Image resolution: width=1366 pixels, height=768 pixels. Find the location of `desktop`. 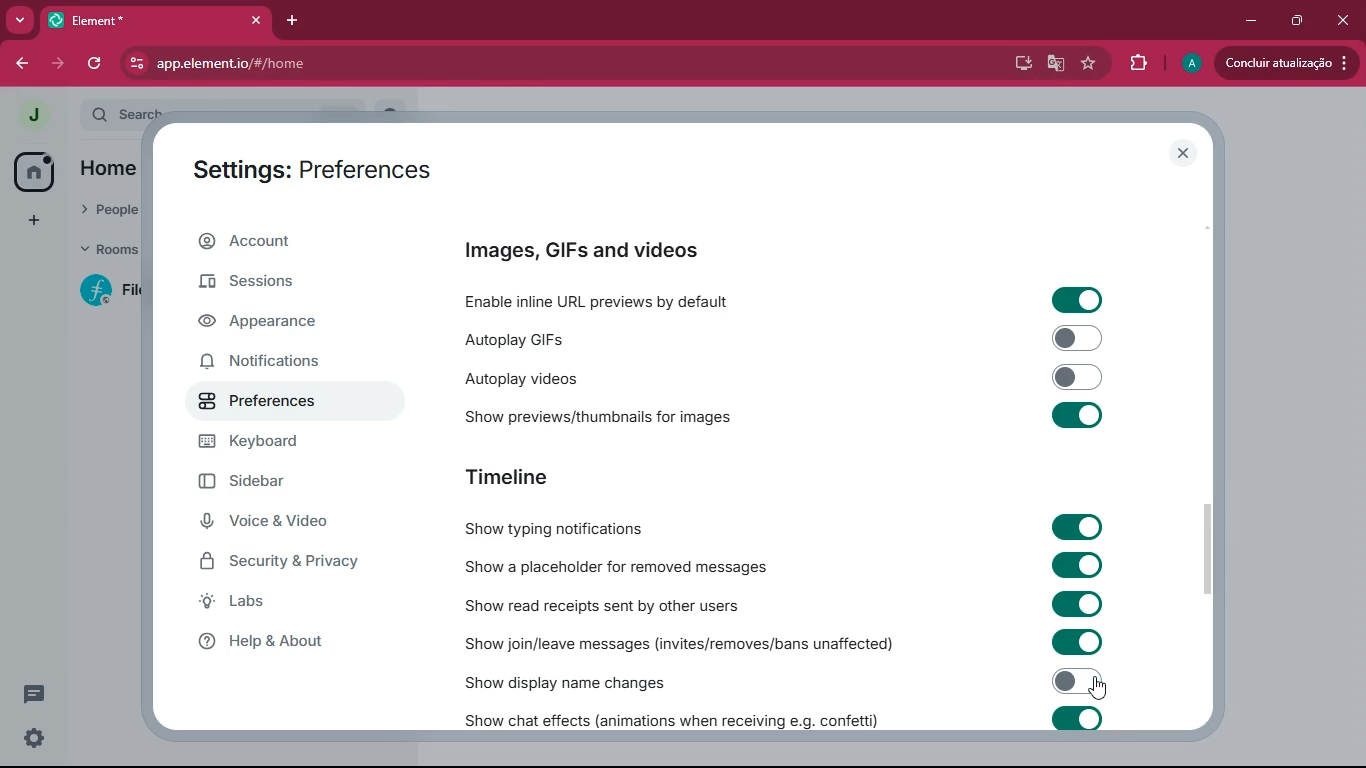

desktop is located at coordinates (1019, 63).